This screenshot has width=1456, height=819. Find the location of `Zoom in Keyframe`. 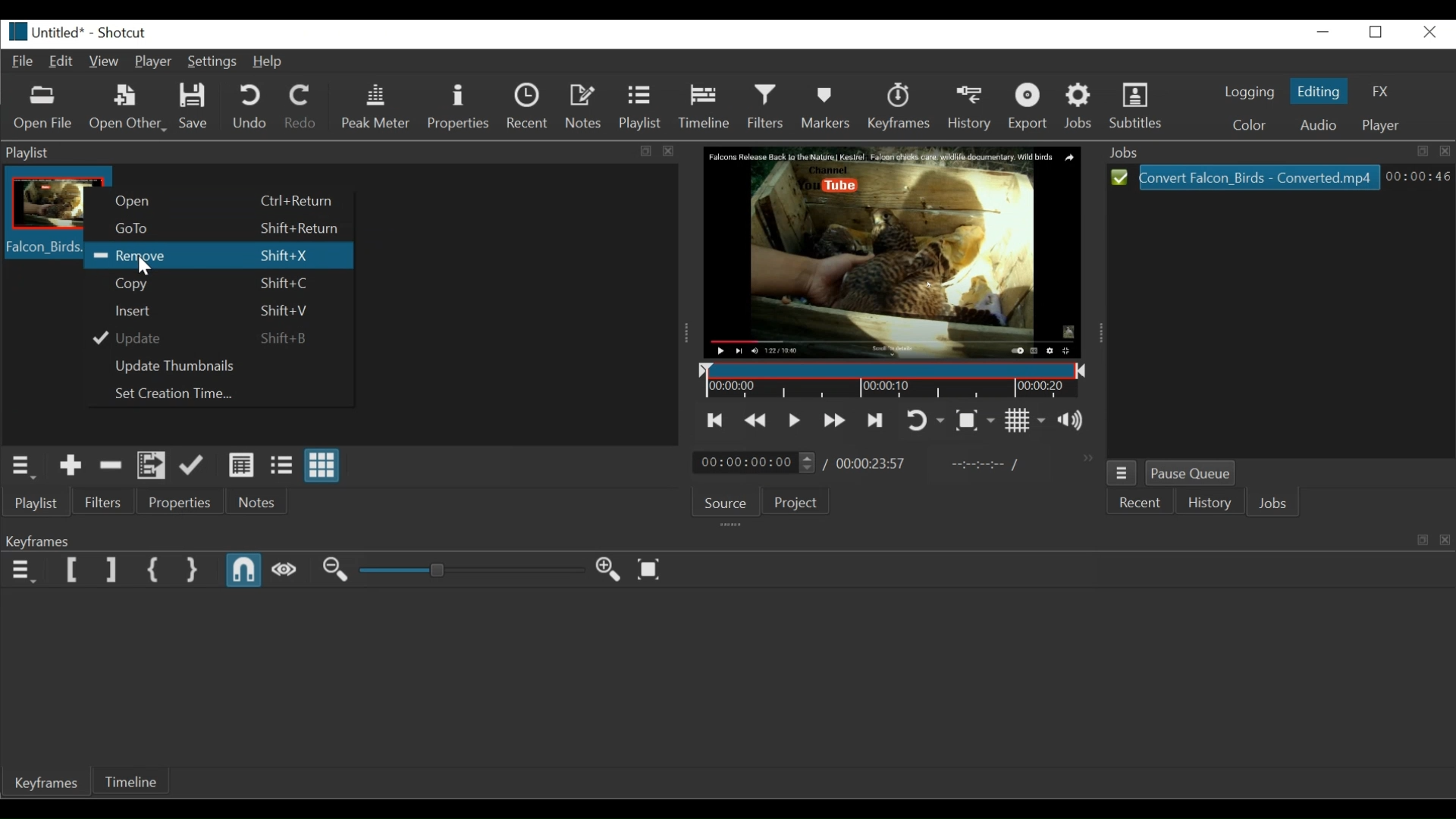

Zoom in Keyframe is located at coordinates (606, 570).